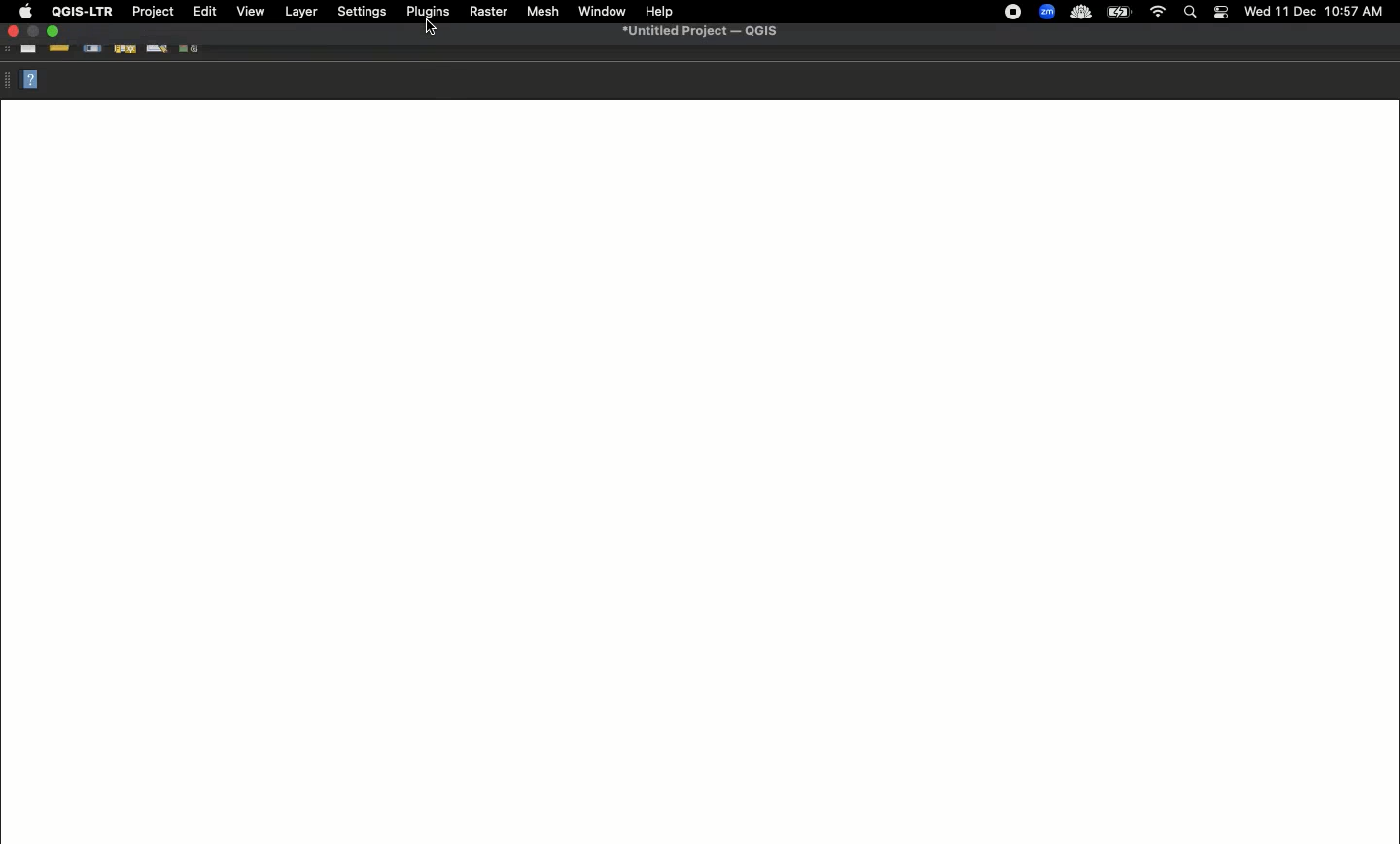  Describe the element at coordinates (601, 11) in the screenshot. I see `Window` at that location.